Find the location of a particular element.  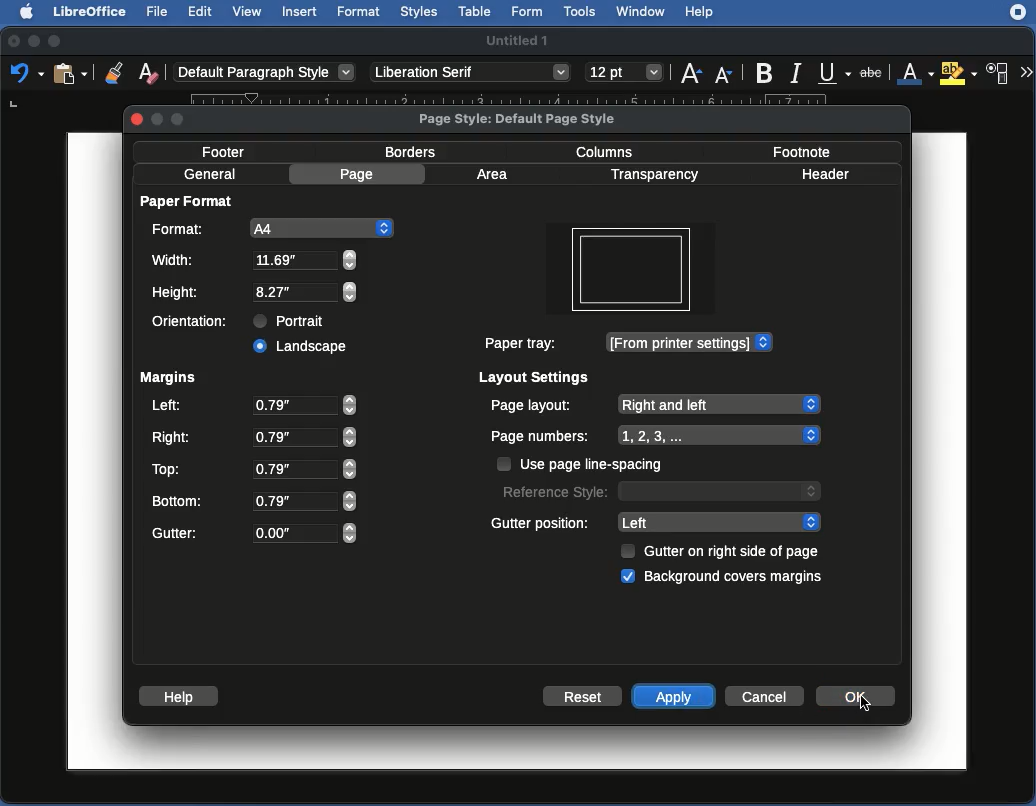

Page numbers is located at coordinates (655, 435).